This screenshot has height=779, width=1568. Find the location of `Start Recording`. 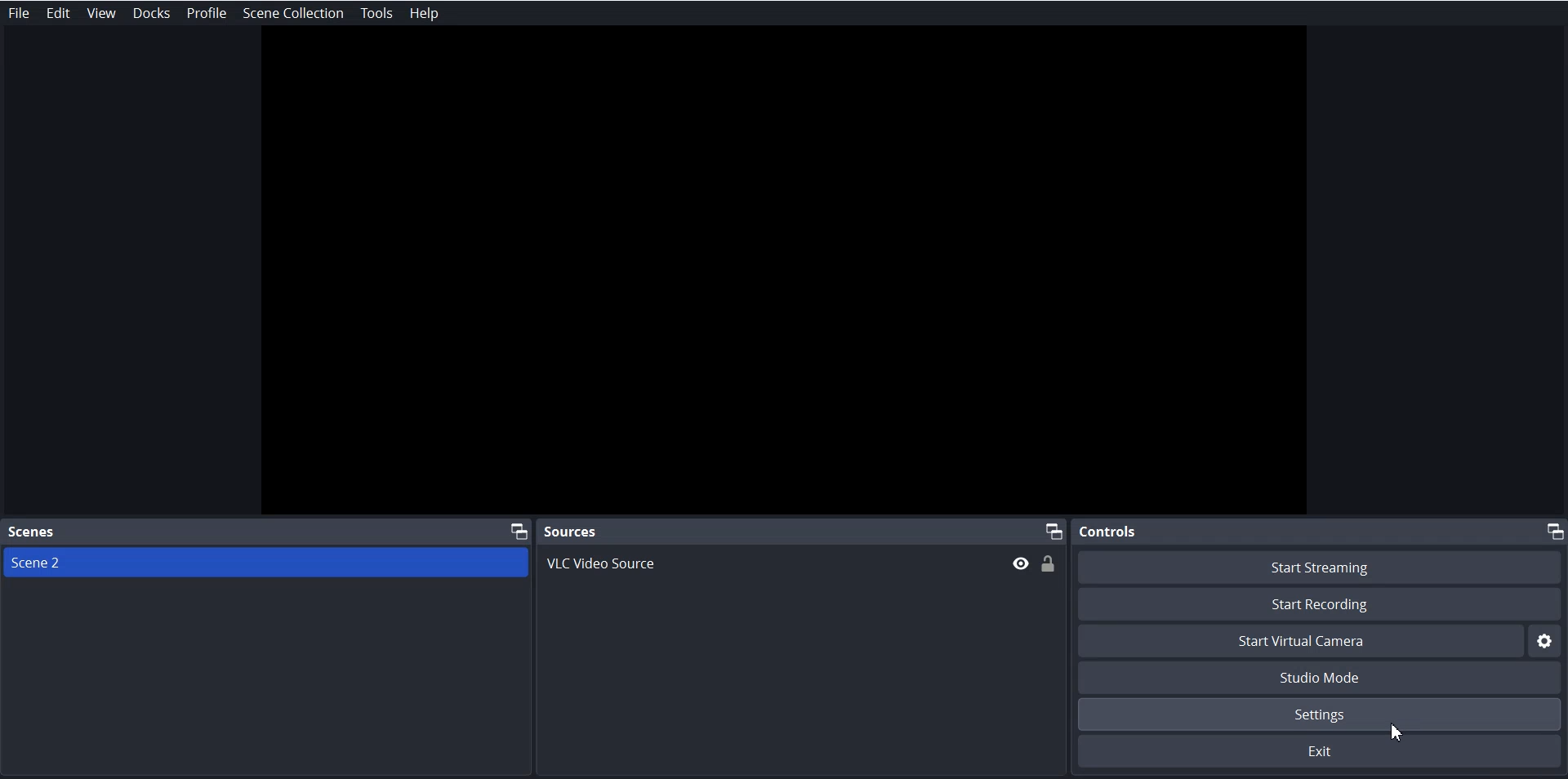

Start Recording is located at coordinates (1320, 603).